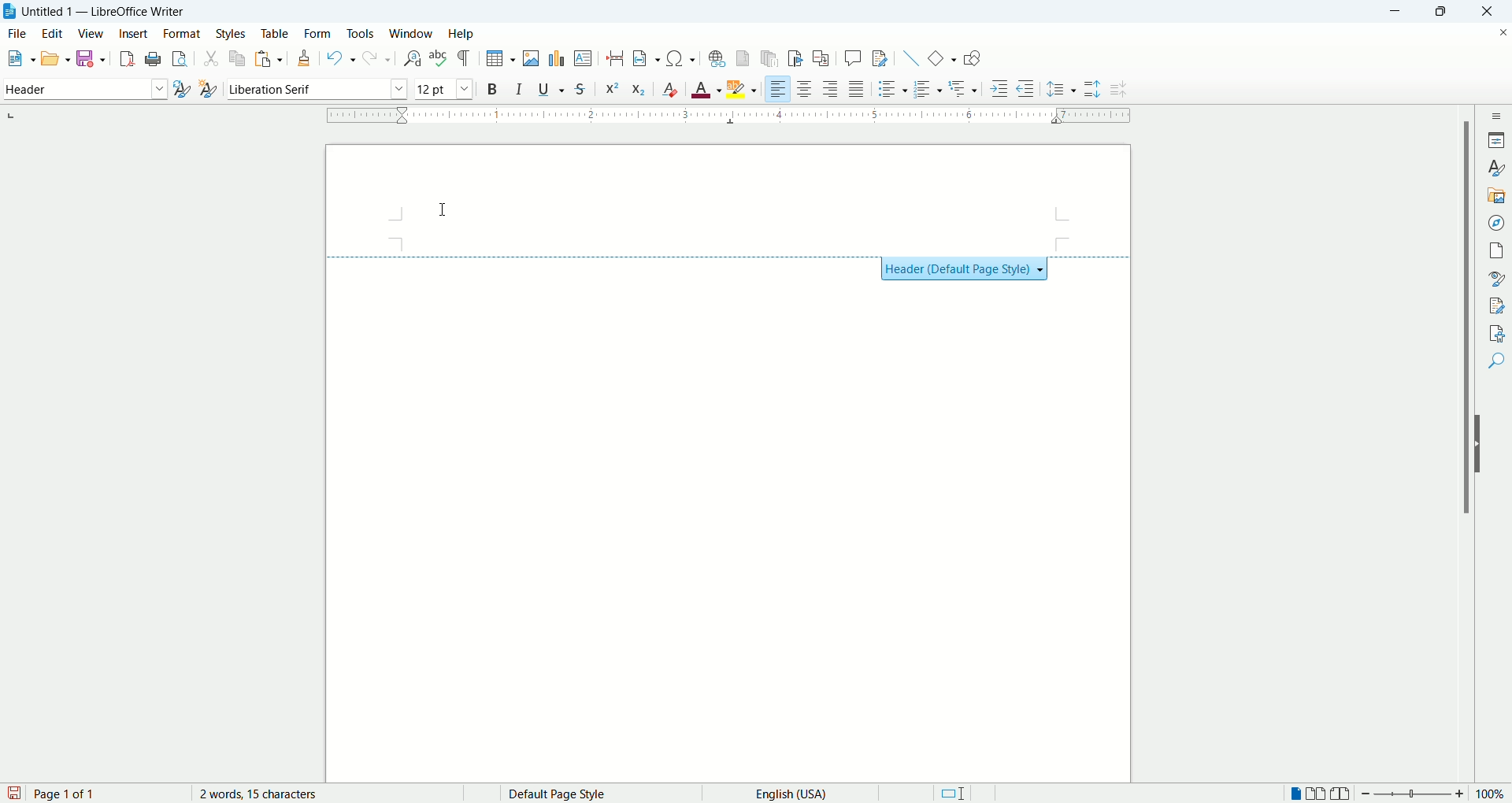  I want to click on properties, so click(1497, 139).